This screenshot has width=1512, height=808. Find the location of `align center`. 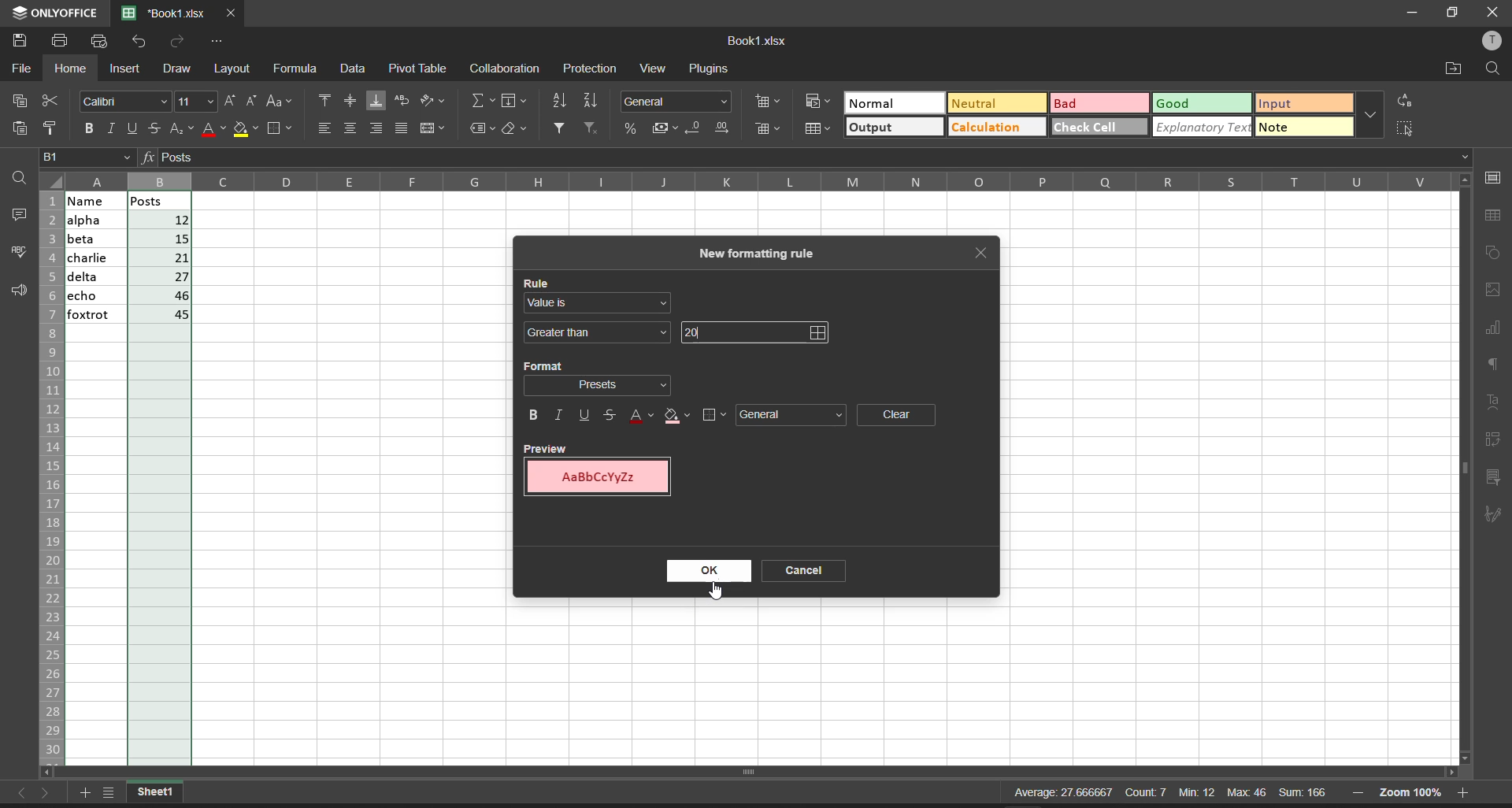

align center is located at coordinates (350, 129).